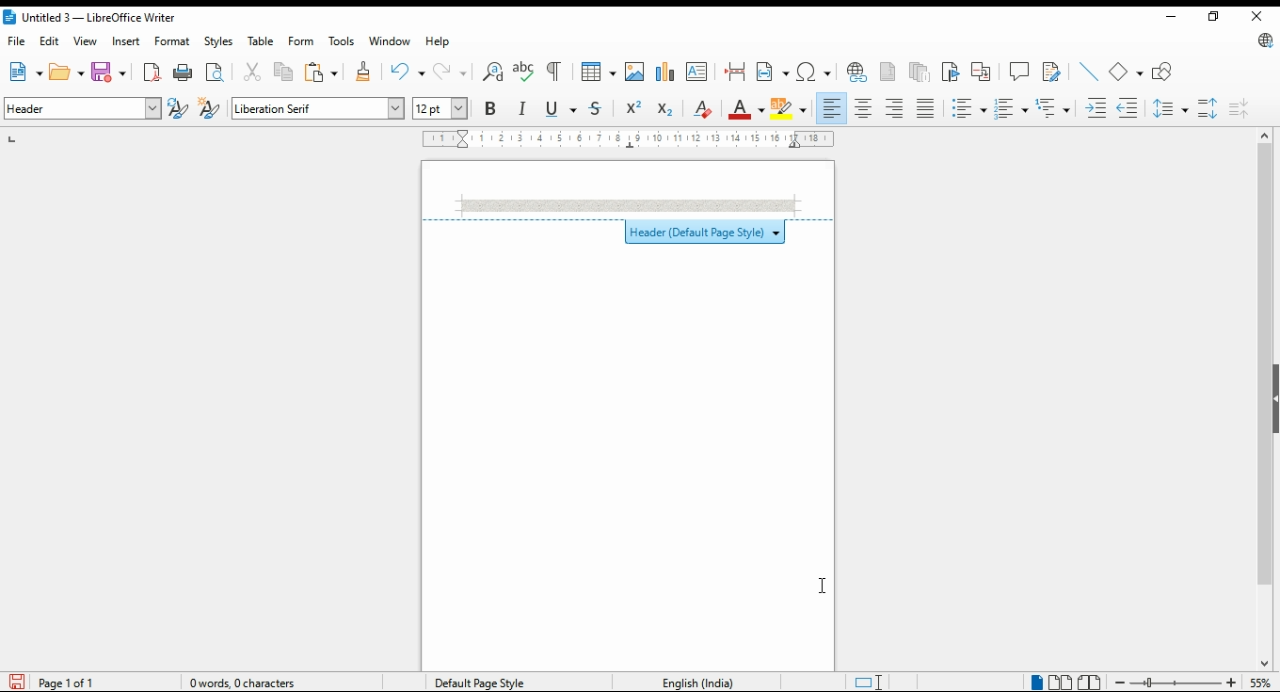 This screenshot has height=692, width=1280. What do you see at coordinates (748, 109) in the screenshot?
I see `font color` at bounding box center [748, 109].